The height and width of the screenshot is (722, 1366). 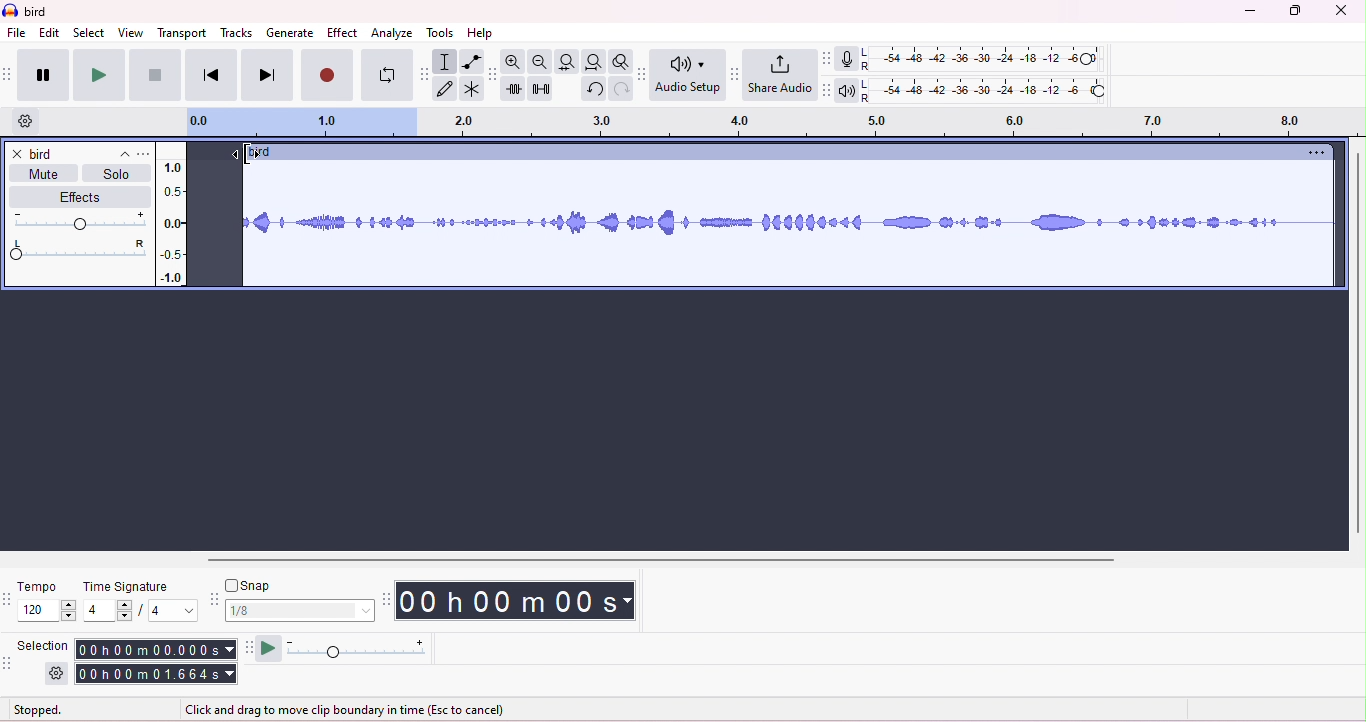 I want to click on play, so click(x=98, y=75).